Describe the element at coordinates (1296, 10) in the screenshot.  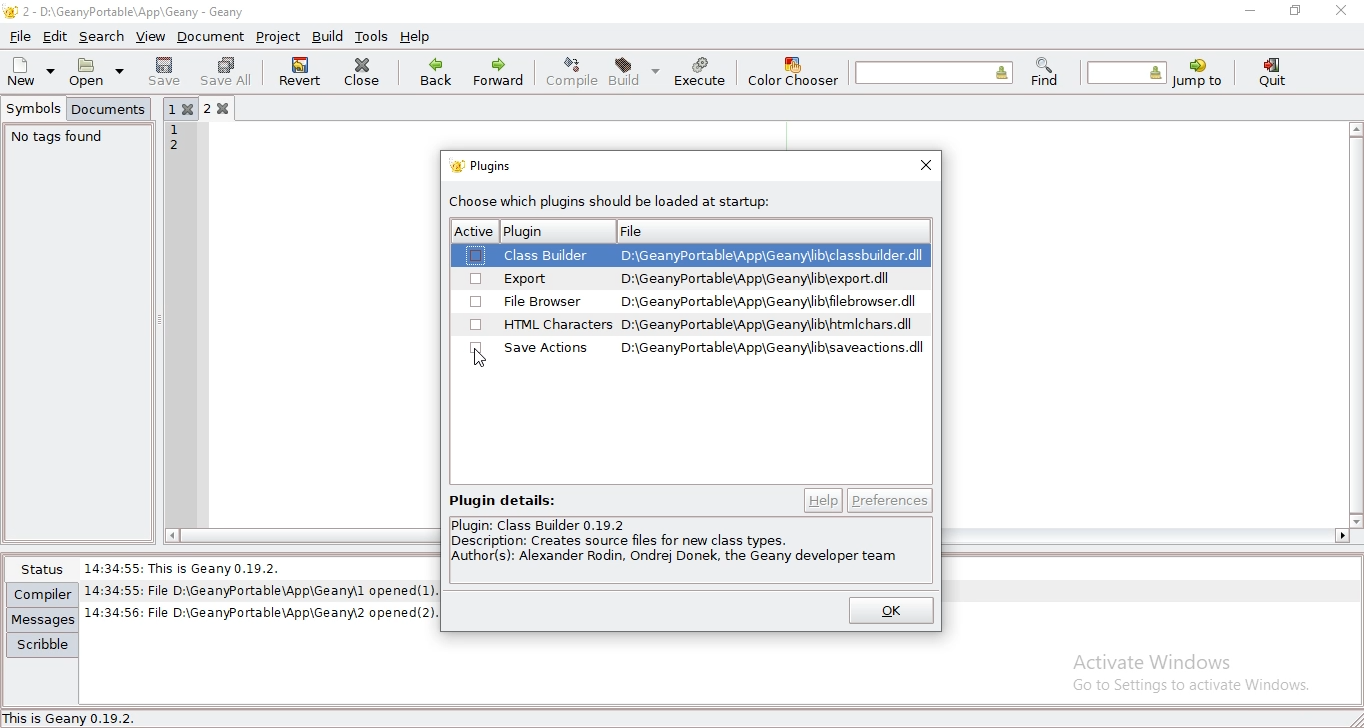
I see `restore window` at that location.